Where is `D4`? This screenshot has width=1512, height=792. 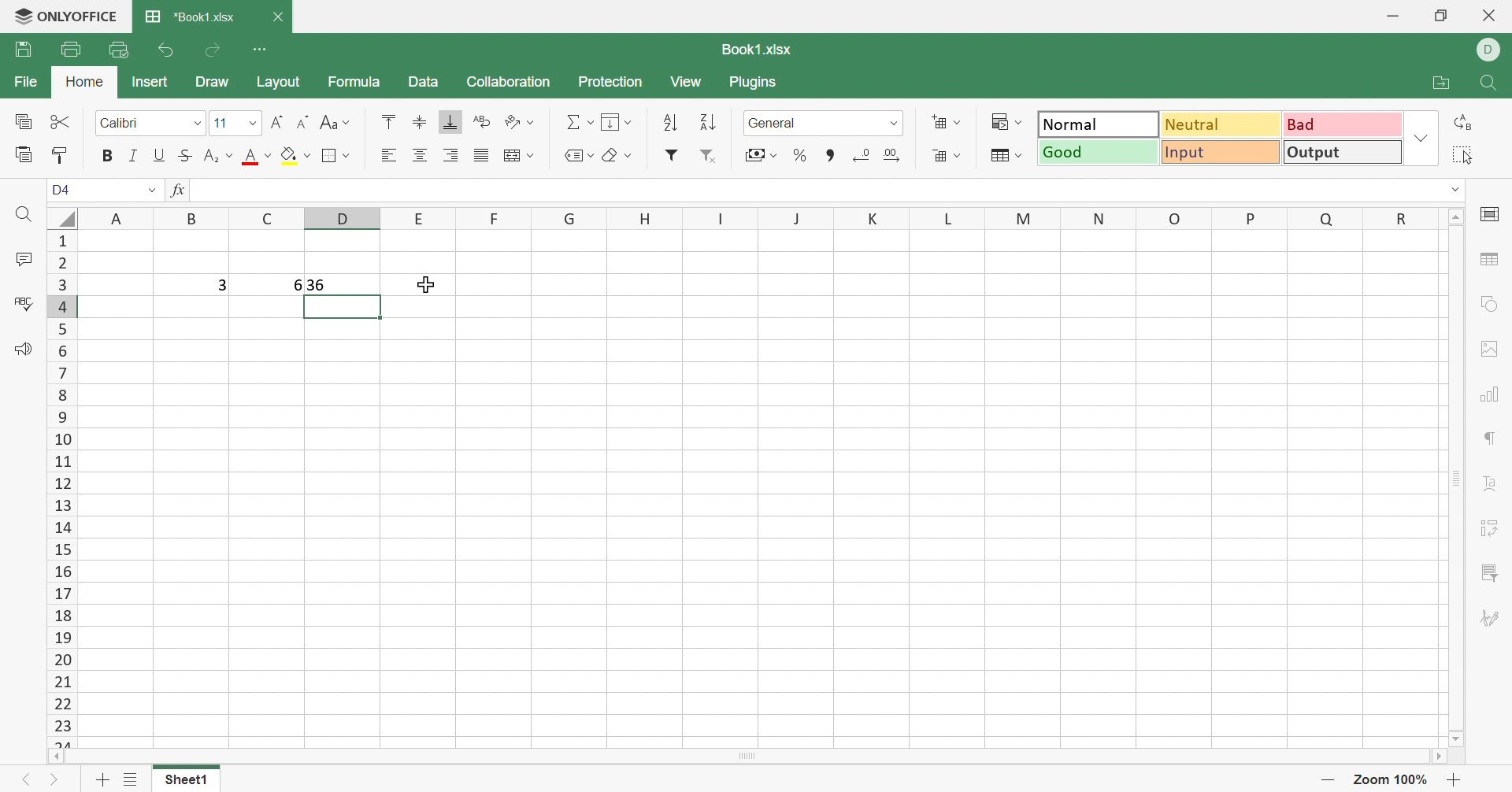
D4 is located at coordinates (73, 187).